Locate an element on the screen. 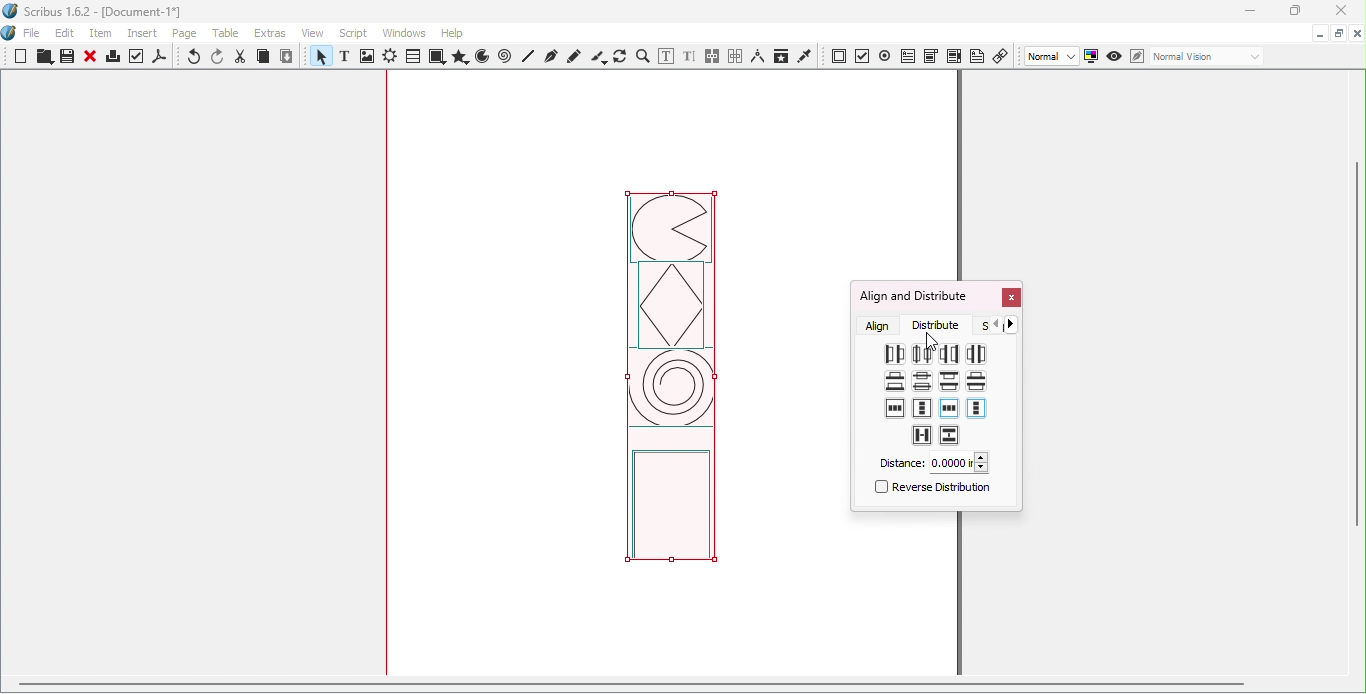  Help is located at coordinates (452, 33).